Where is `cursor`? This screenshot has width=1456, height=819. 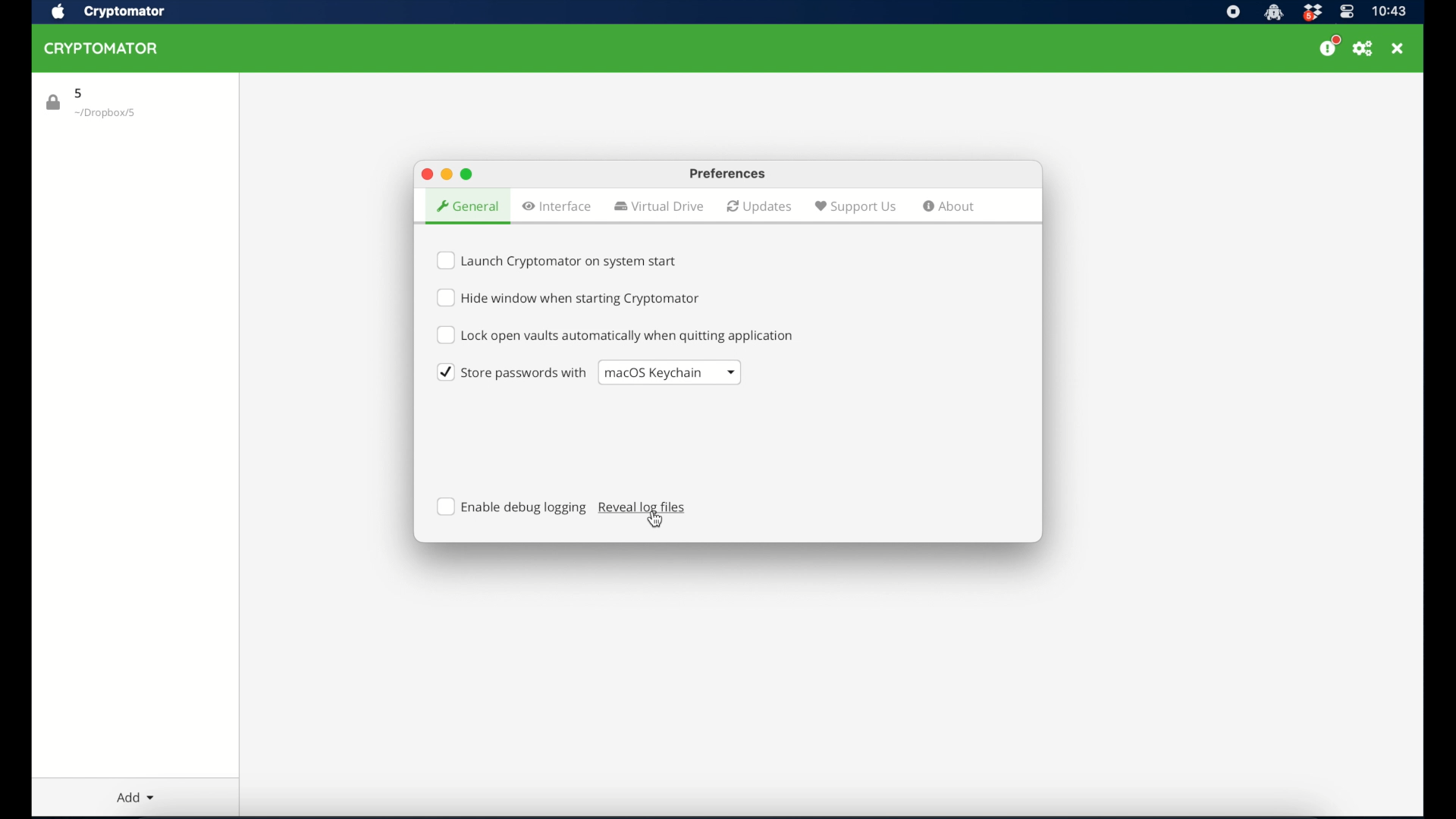 cursor is located at coordinates (657, 518).